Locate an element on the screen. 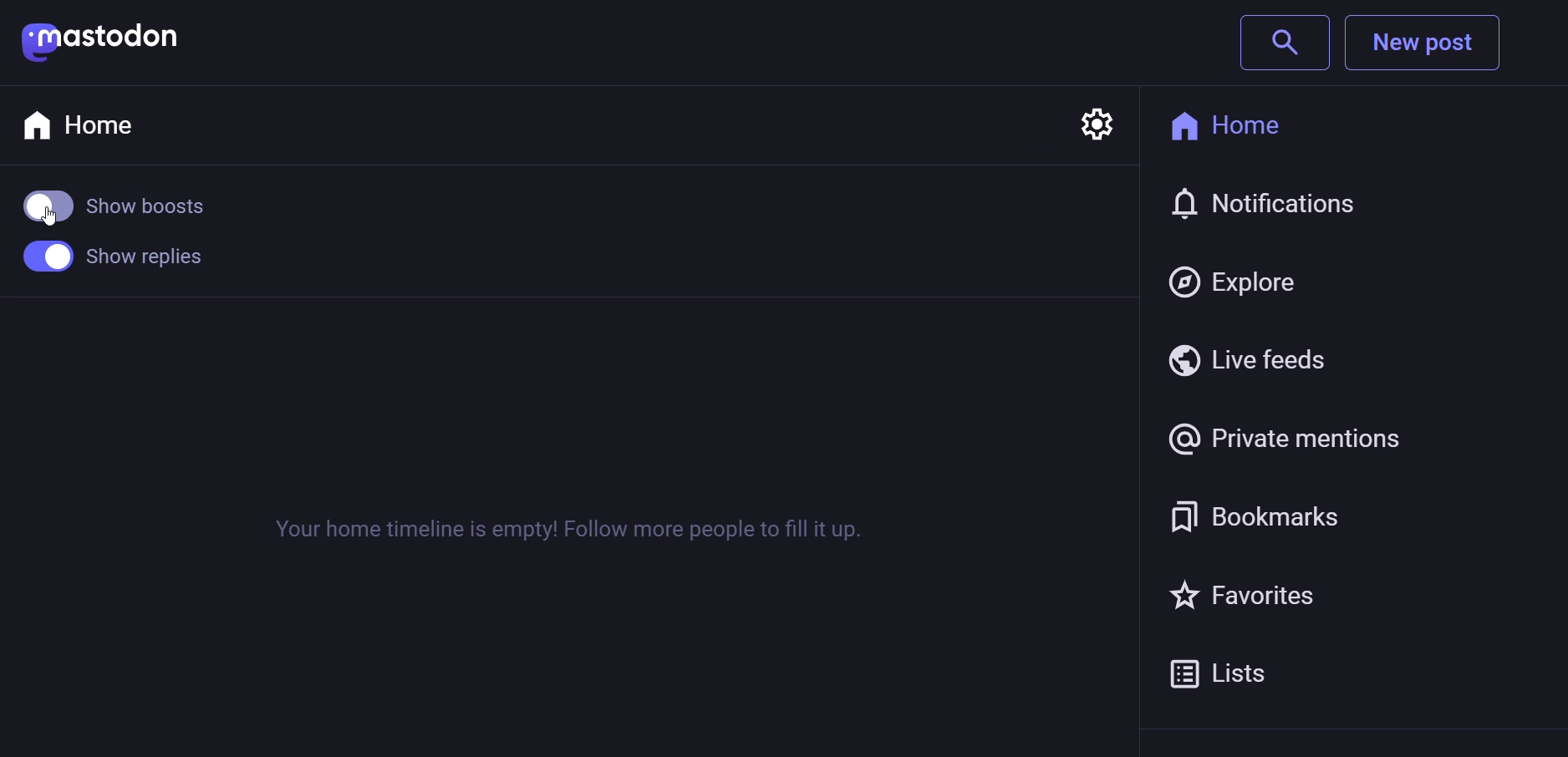 Image resolution: width=1568 pixels, height=757 pixels. search is located at coordinates (1285, 43).